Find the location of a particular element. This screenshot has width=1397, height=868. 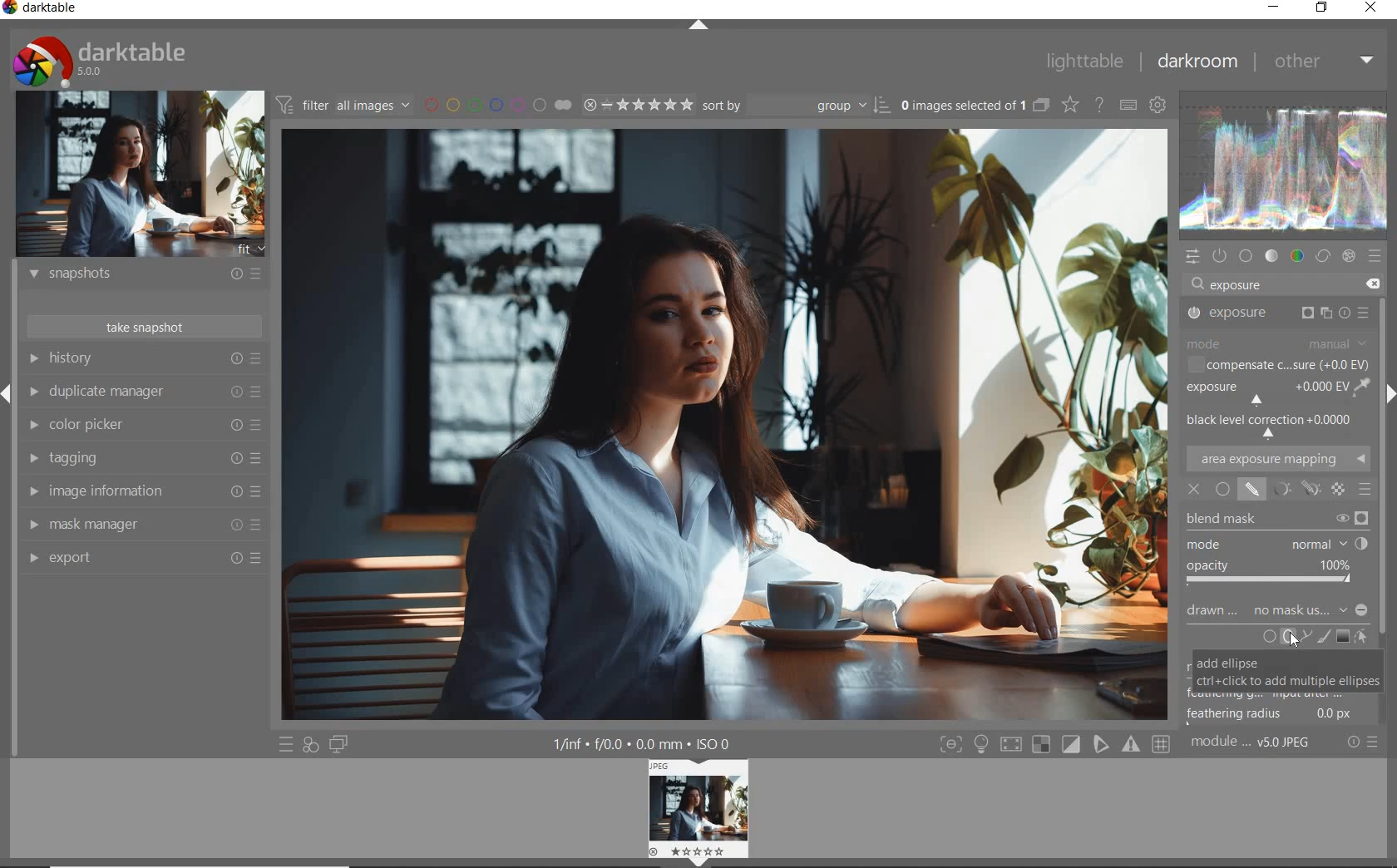

exposure is located at coordinates (1238, 284).